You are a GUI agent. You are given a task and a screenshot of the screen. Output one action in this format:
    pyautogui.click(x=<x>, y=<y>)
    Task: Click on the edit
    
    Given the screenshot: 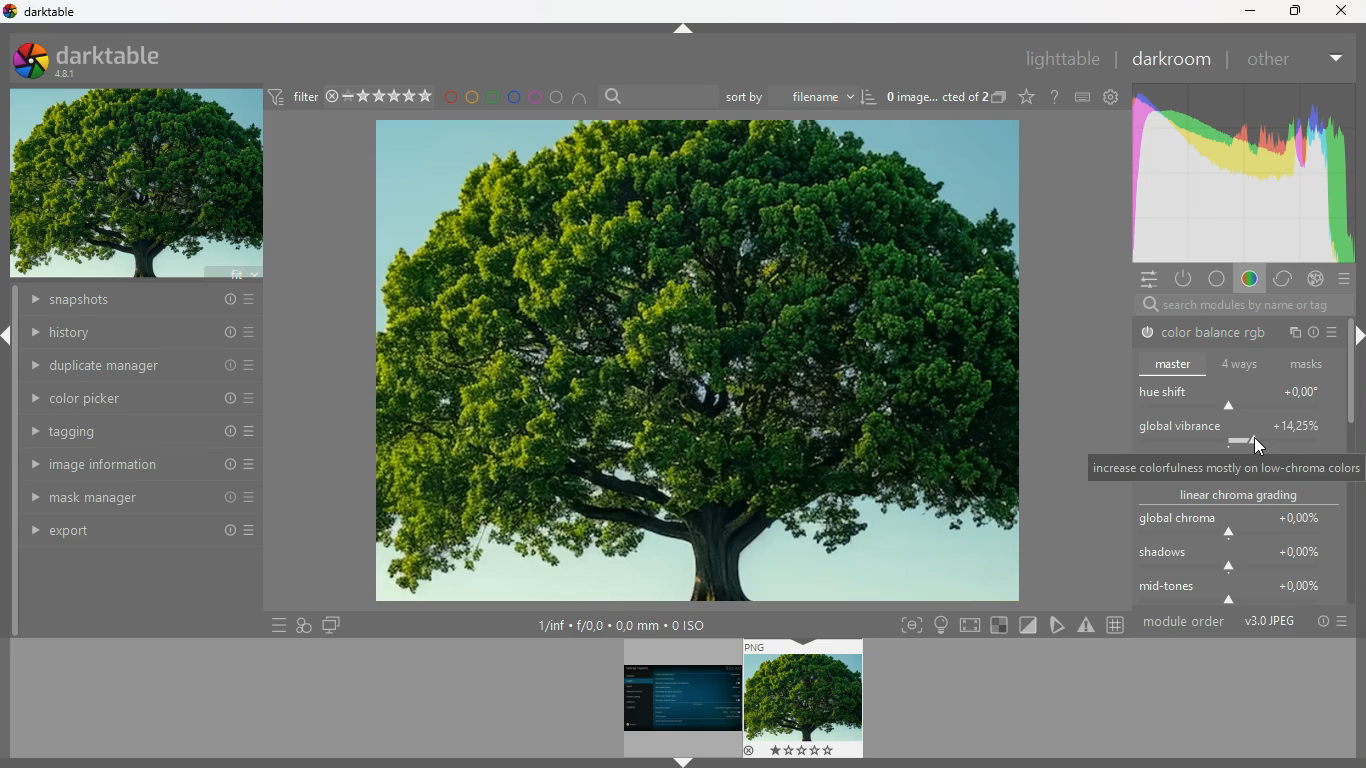 What is the action you would take?
    pyautogui.click(x=1059, y=624)
    